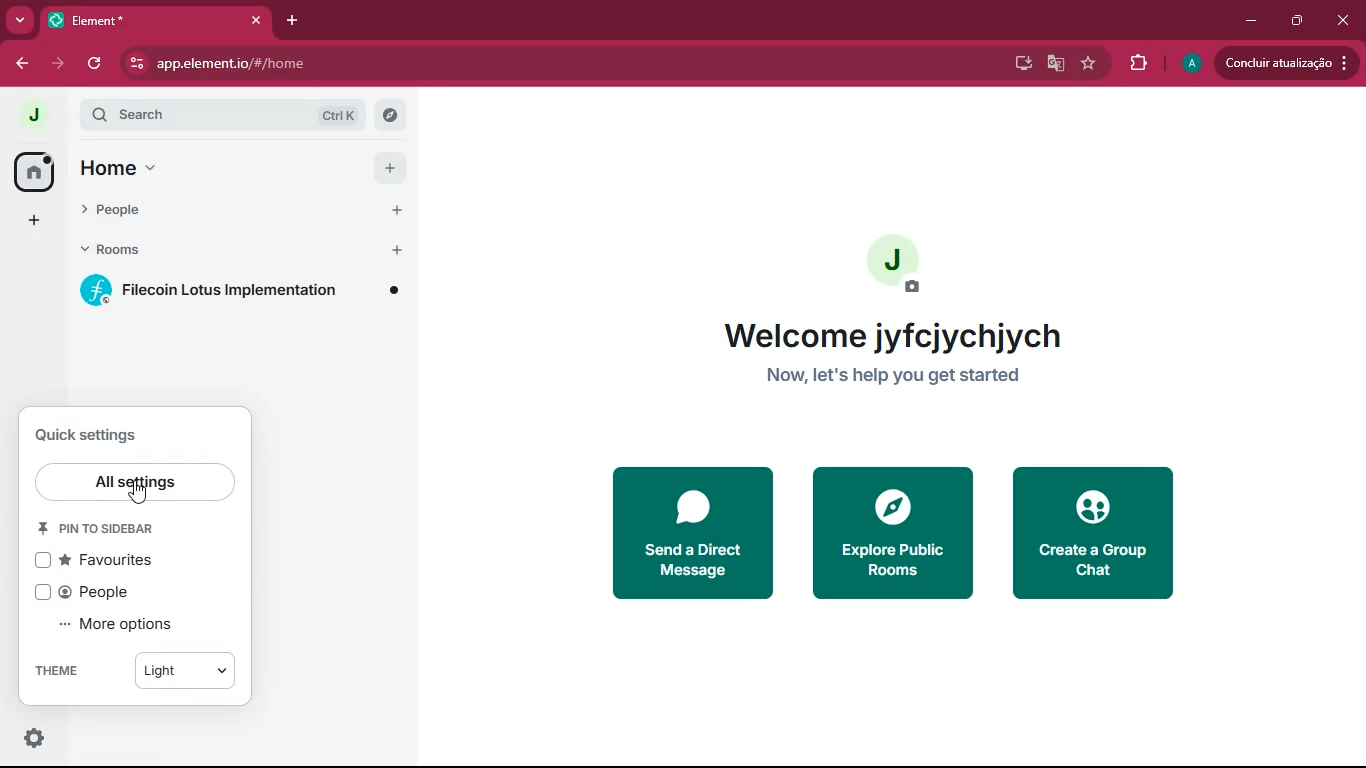  What do you see at coordinates (34, 223) in the screenshot?
I see `add` at bounding box center [34, 223].